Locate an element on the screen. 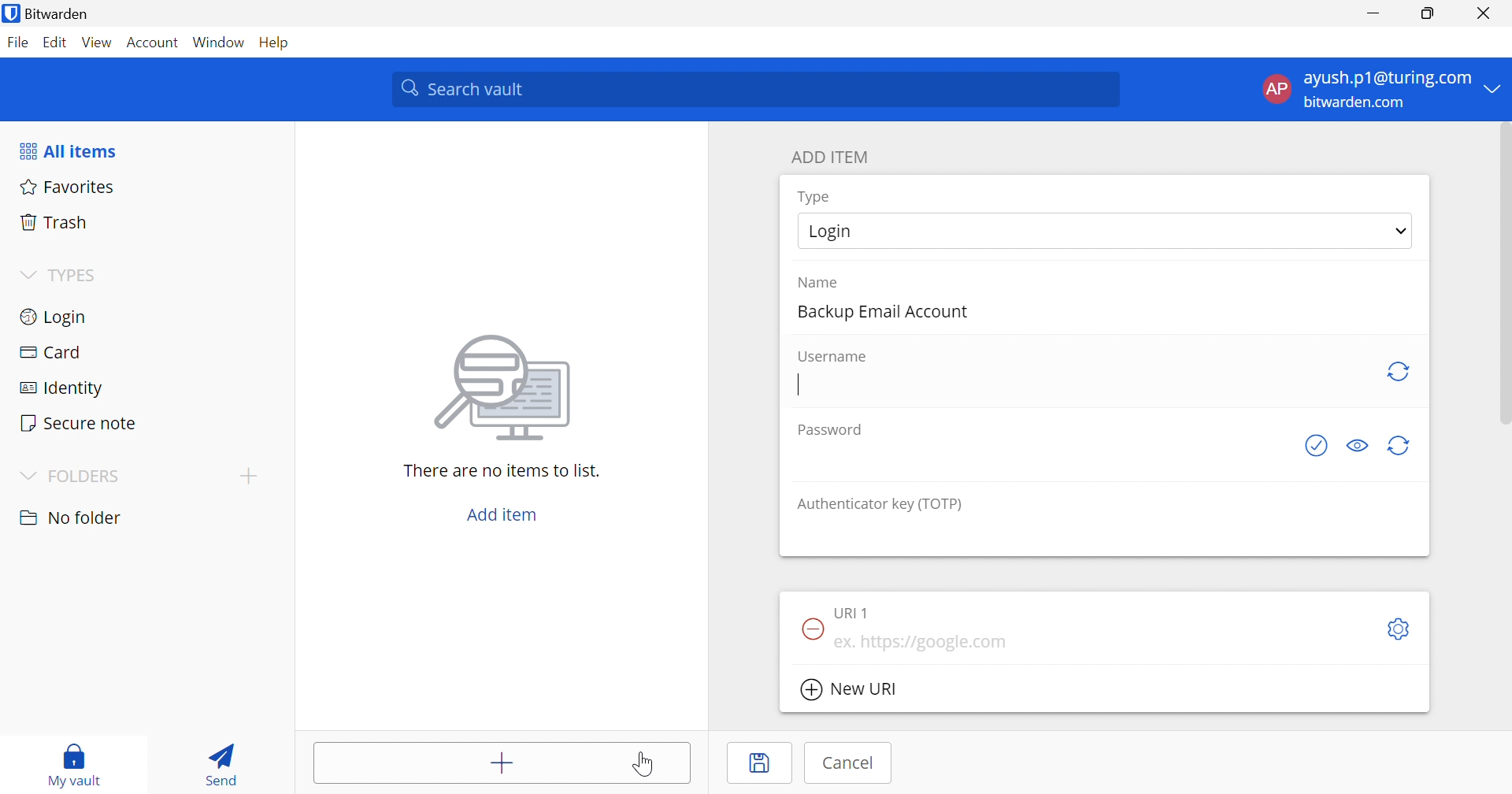 This screenshot has height=794, width=1512. Drop down is located at coordinates (1401, 231).